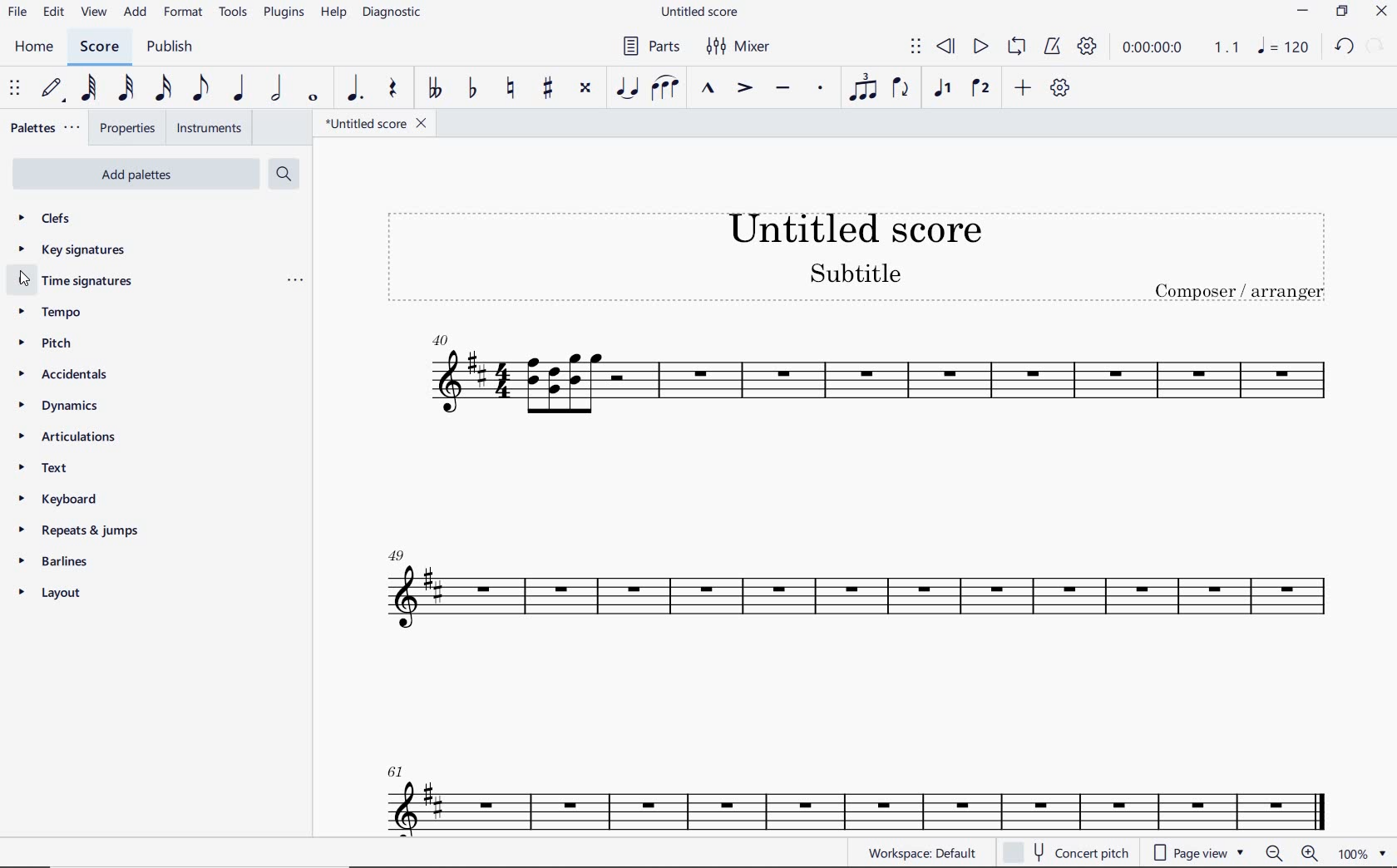 The image size is (1397, 868). Describe the element at coordinates (740, 47) in the screenshot. I see `MIXER` at that location.